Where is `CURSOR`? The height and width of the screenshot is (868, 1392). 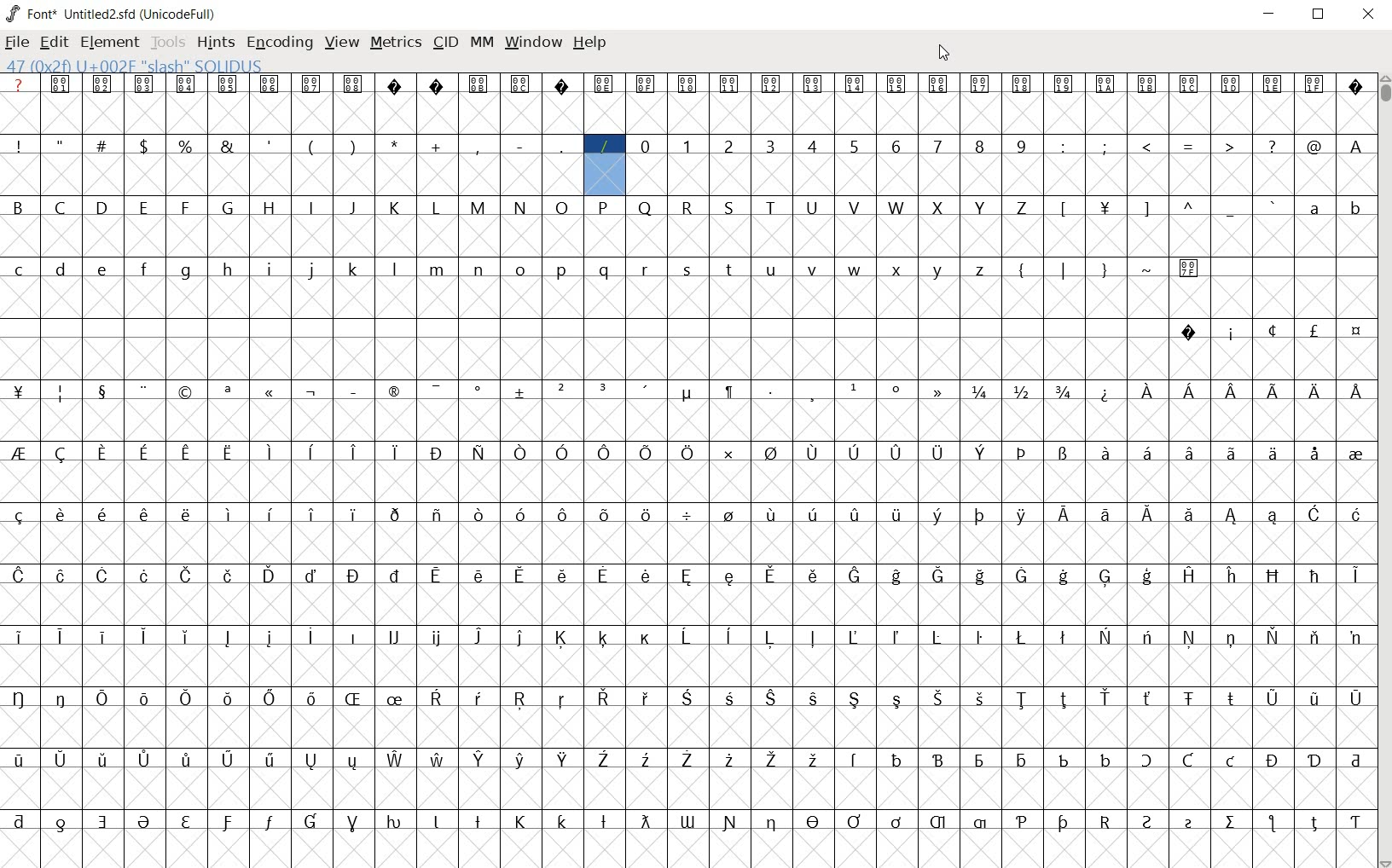 CURSOR is located at coordinates (945, 52).